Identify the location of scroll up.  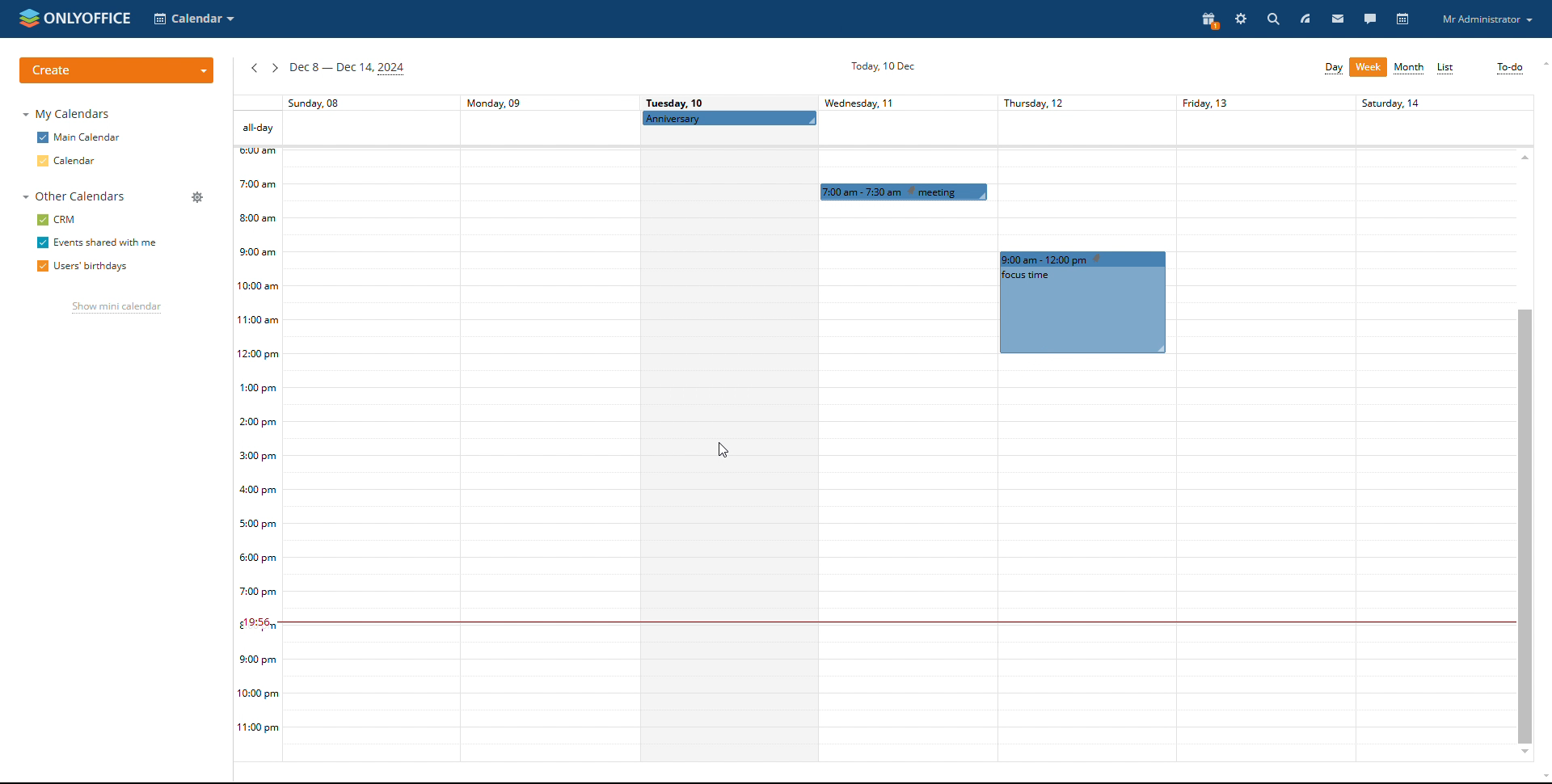
(1542, 64).